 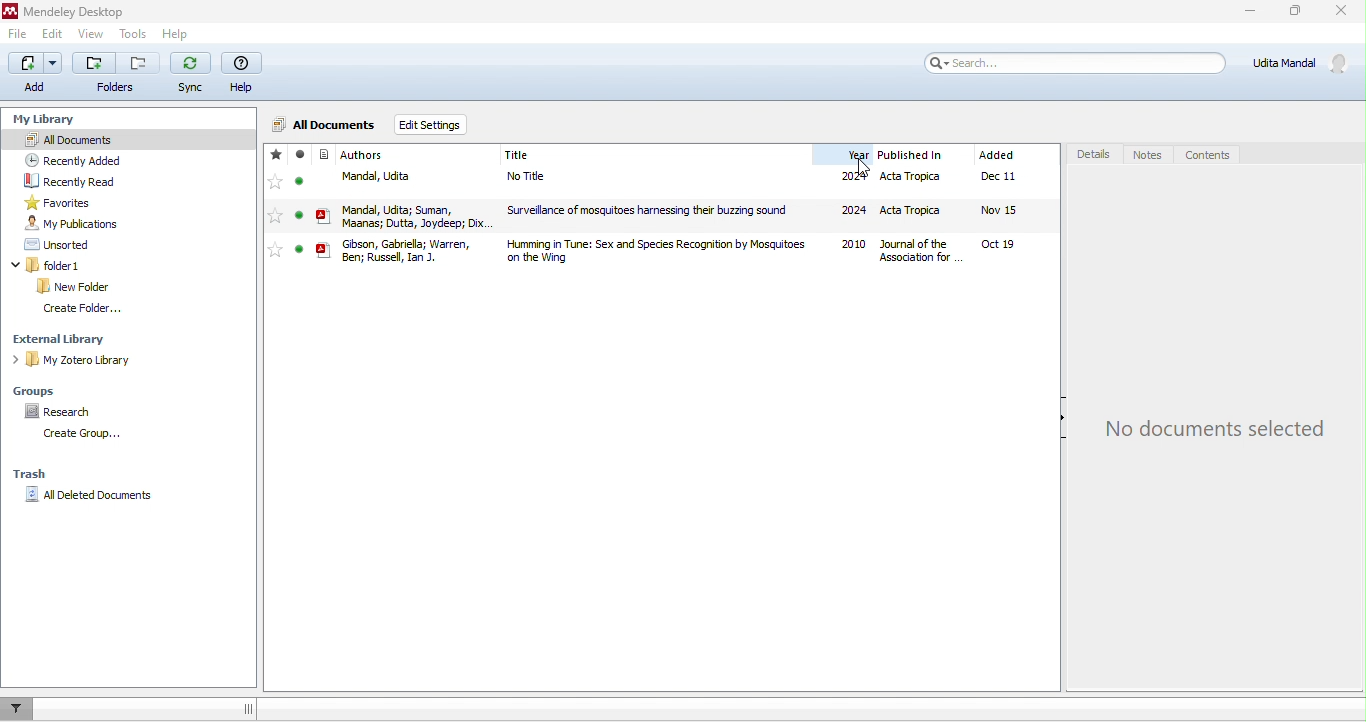 What do you see at coordinates (242, 73) in the screenshot?
I see `help` at bounding box center [242, 73].